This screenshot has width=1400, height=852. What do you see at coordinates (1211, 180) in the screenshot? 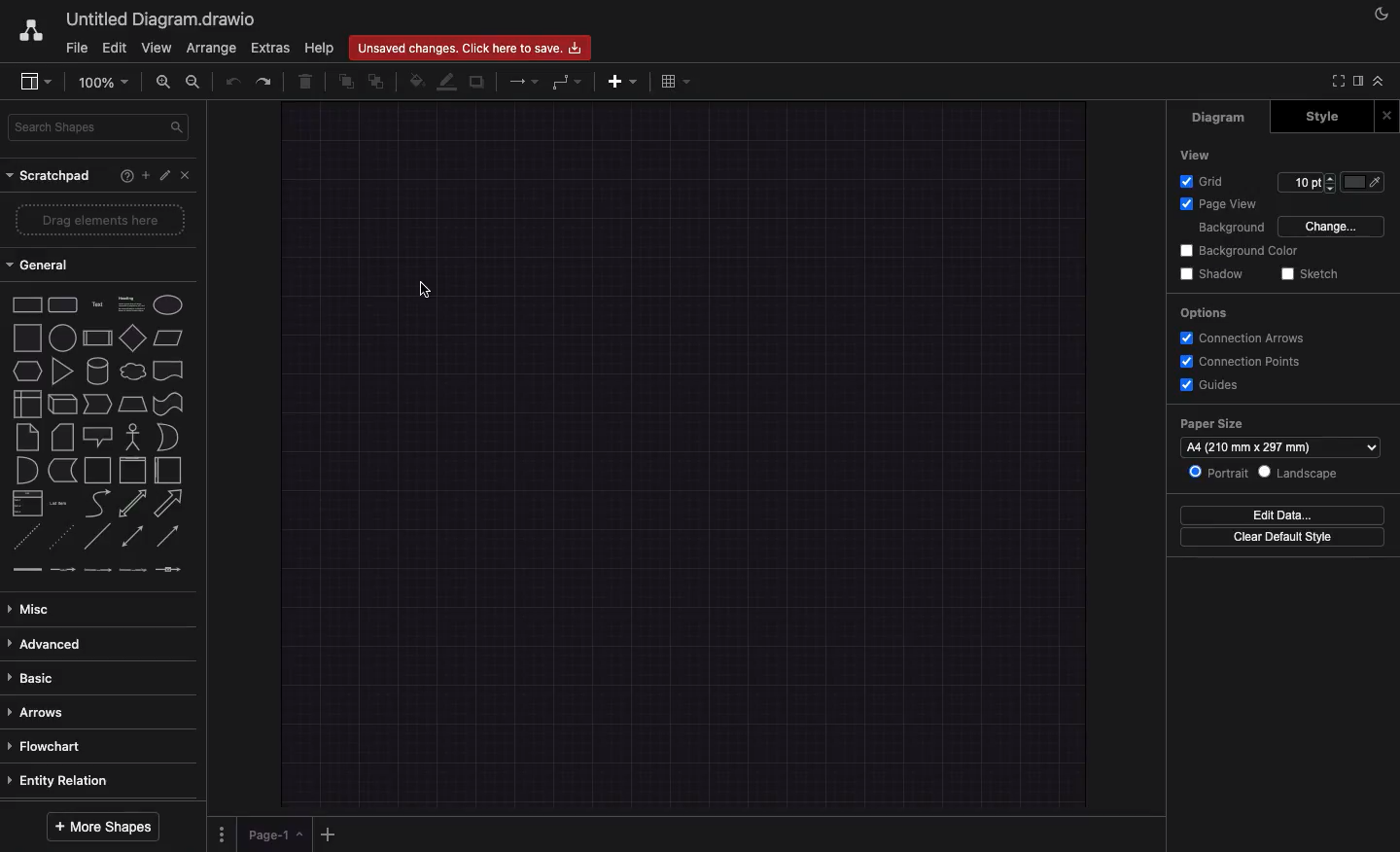
I see `Grid` at bounding box center [1211, 180].